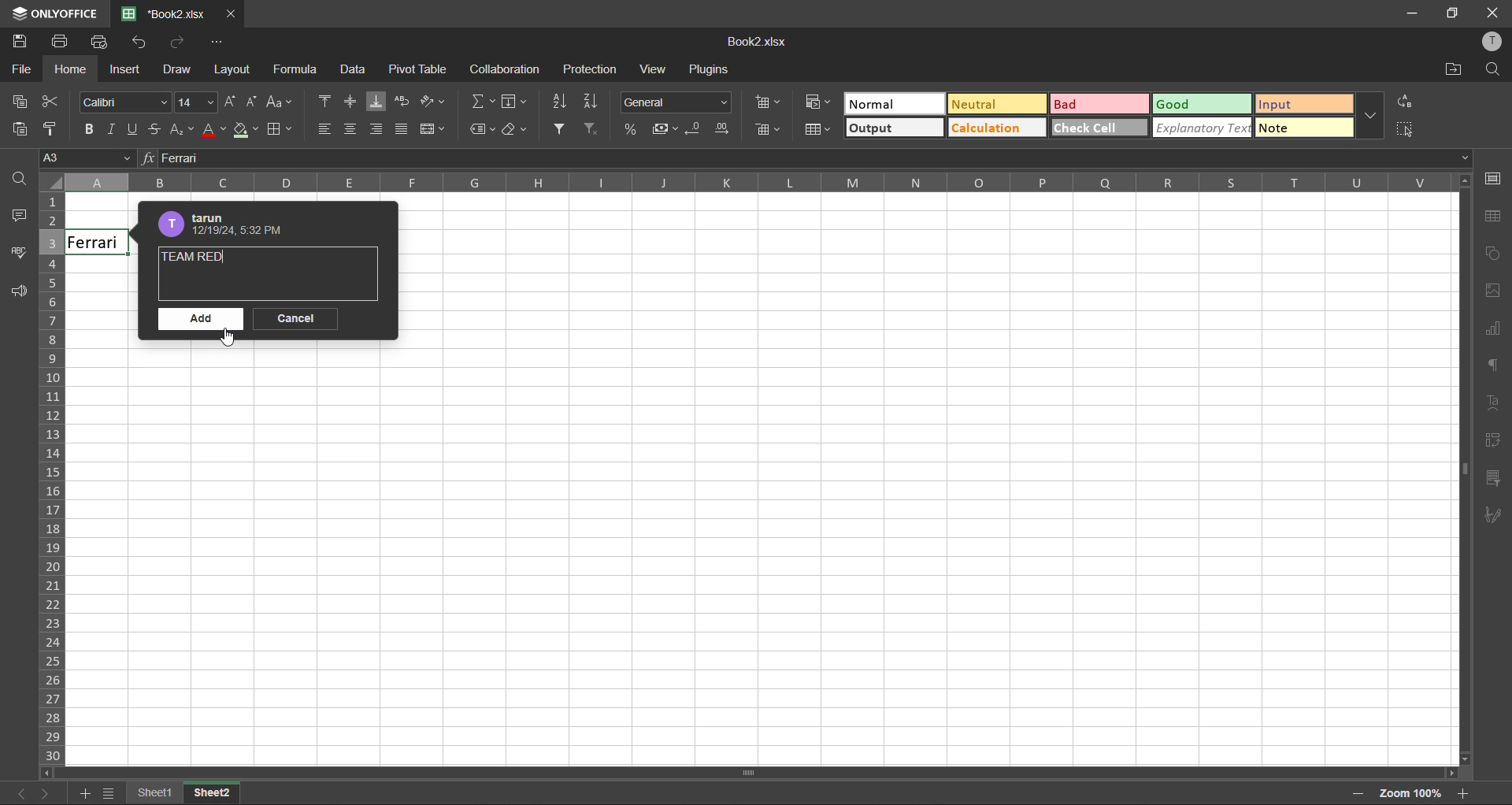 Image resolution: width=1512 pixels, height=805 pixels. What do you see at coordinates (215, 793) in the screenshot?
I see `sheet 2` at bounding box center [215, 793].